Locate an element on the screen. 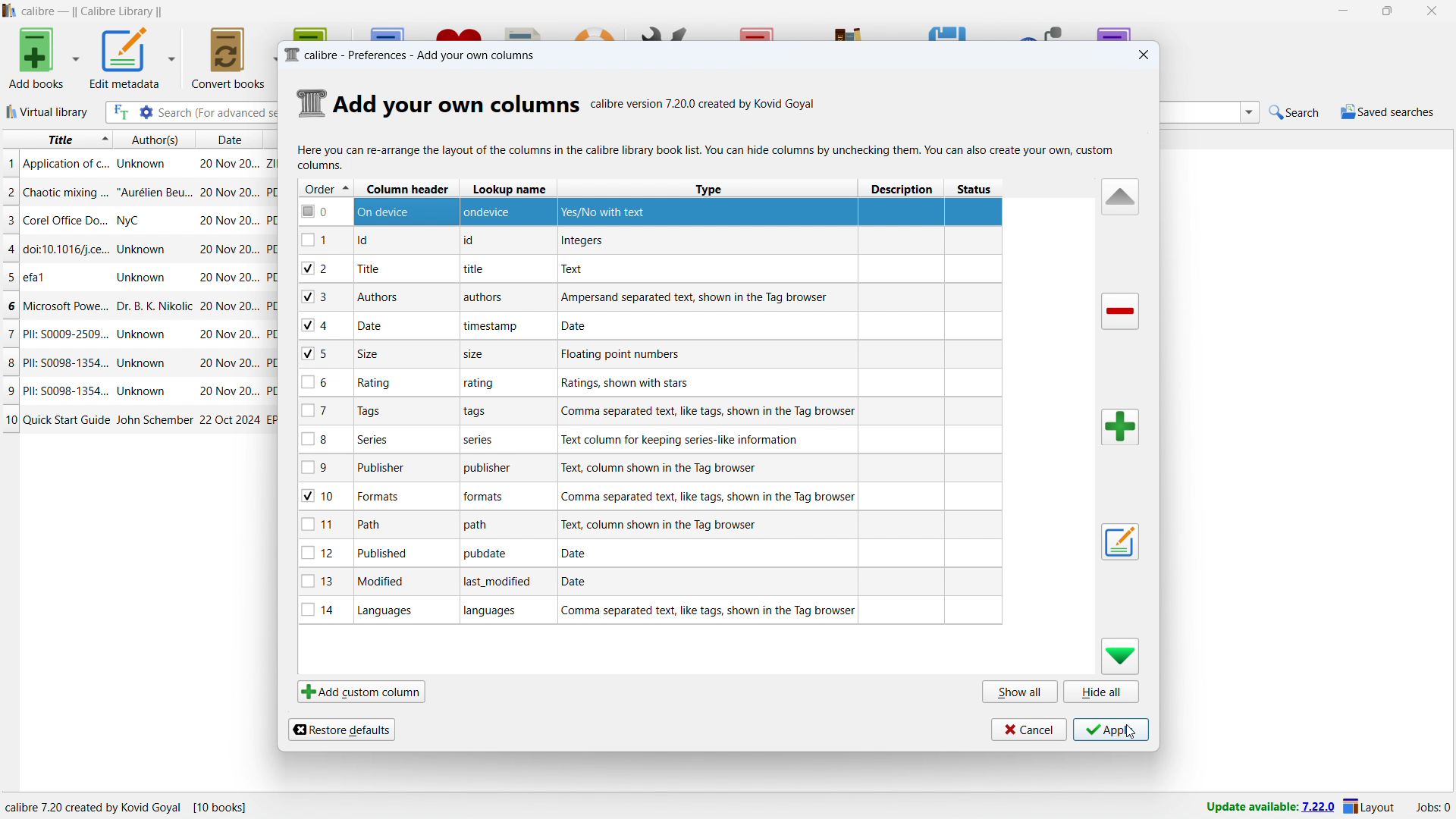 This screenshot has width=1456, height=819. 4 is located at coordinates (324, 327).